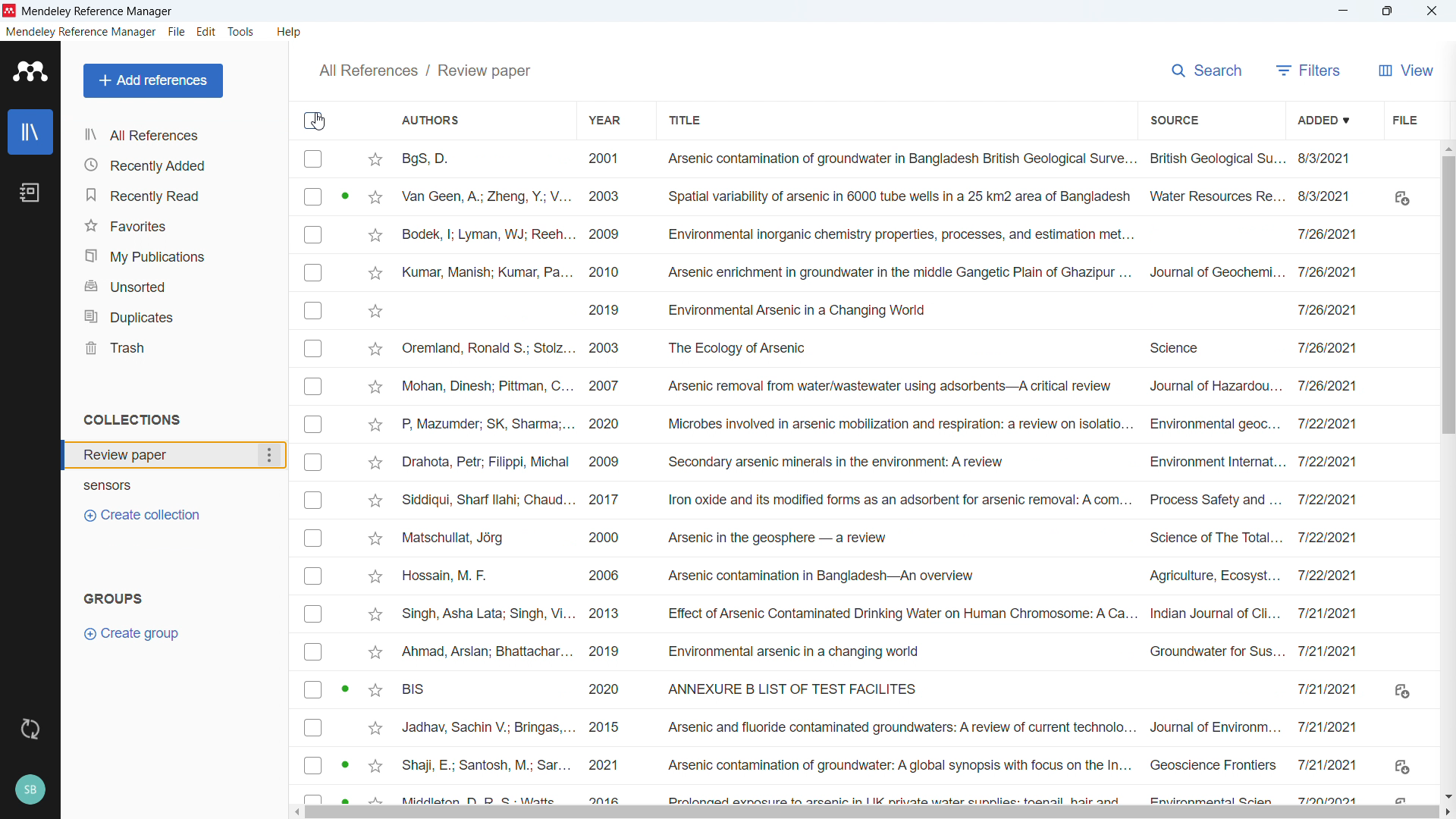 Image resolution: width=1456 pixels, height=819 pixels. What do you see at coordinates (28, 71) in the screenshot?
I see `Logo ` at bounding box center [28, 71].